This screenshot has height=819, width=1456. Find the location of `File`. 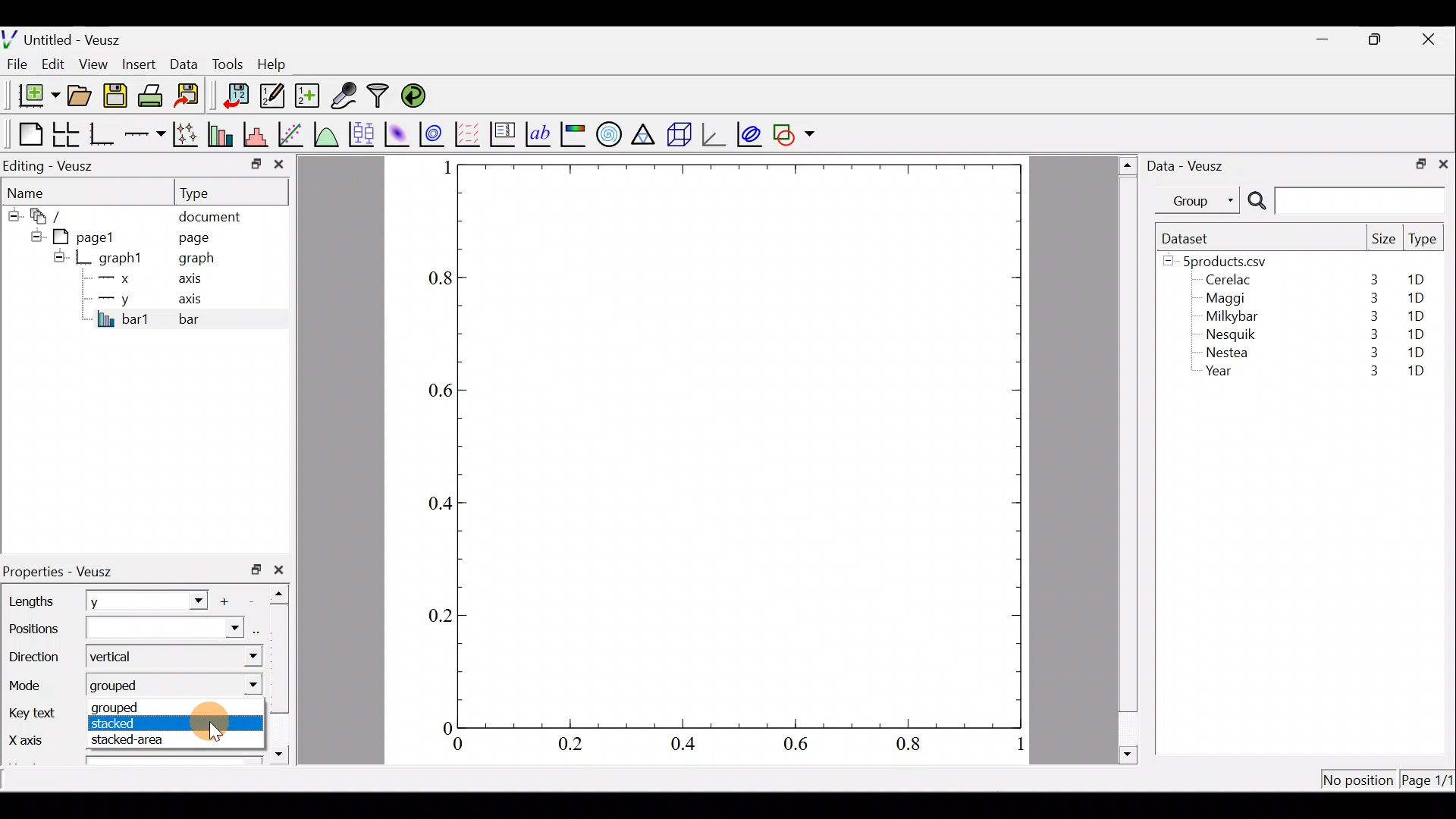

File is located at coordinates (14, 64).